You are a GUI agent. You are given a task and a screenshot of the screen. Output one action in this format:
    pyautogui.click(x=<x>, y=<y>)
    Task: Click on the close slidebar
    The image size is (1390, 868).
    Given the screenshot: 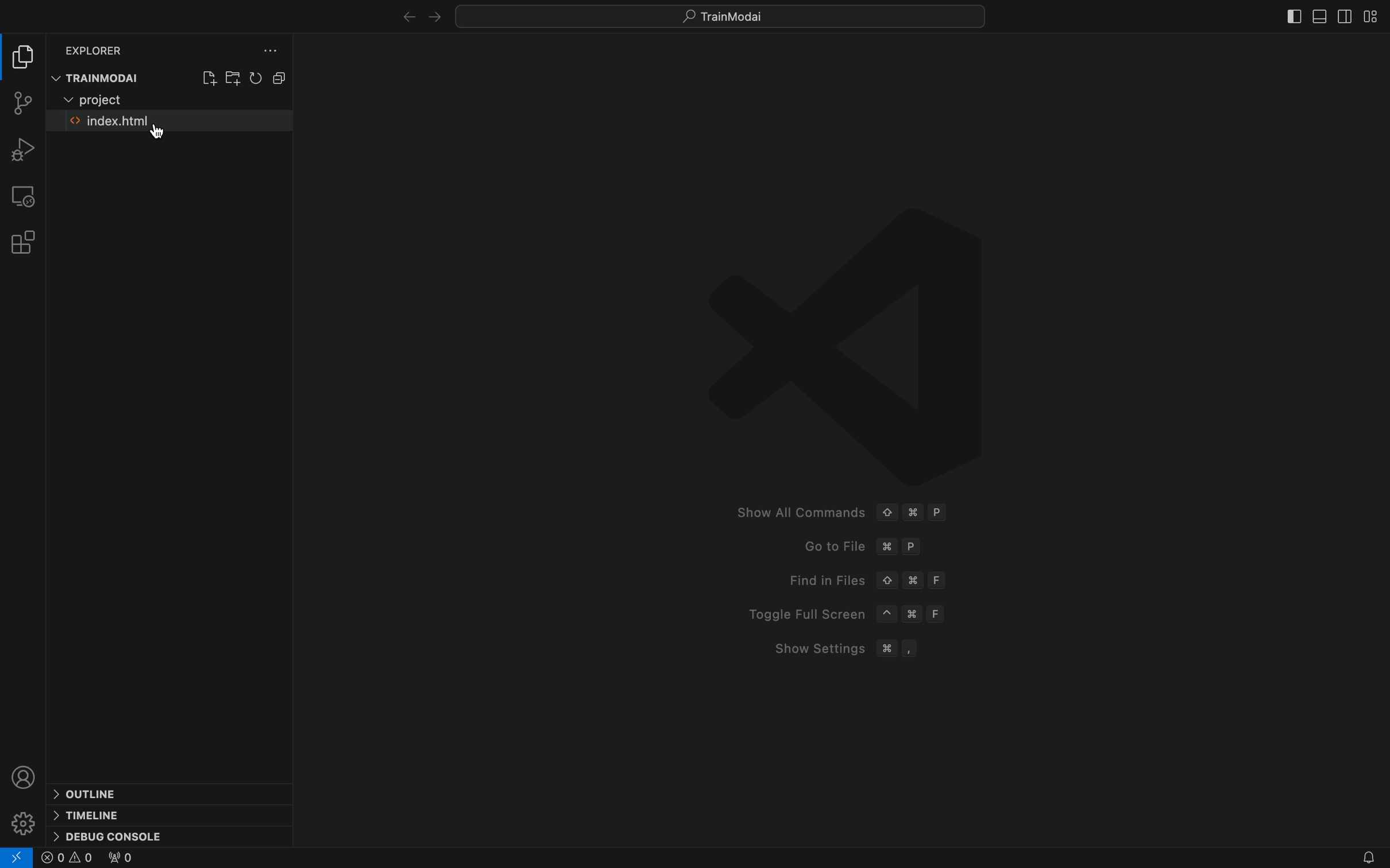 What is the action you would take?
    pyautogui.click(x=1295, y=18)
    